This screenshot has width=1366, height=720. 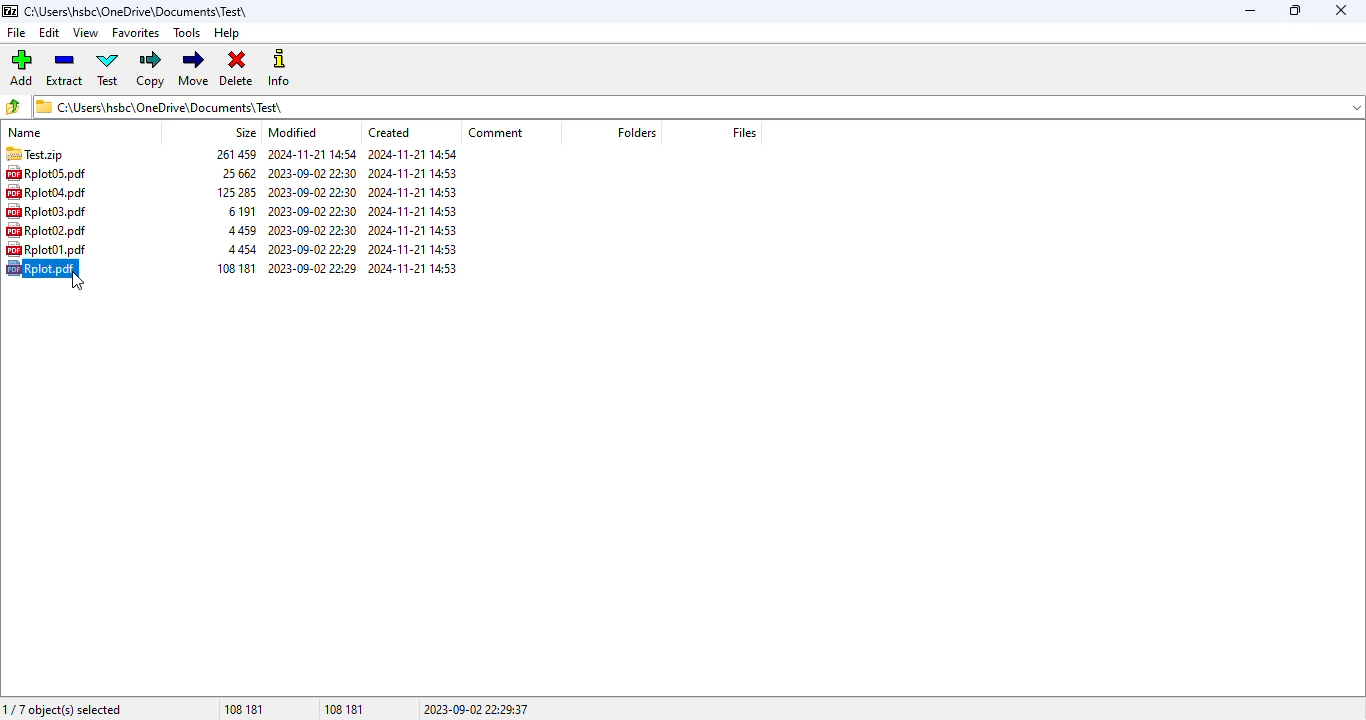 I want to click on  2024-11-21 14:53, so click(x=413, y=251).